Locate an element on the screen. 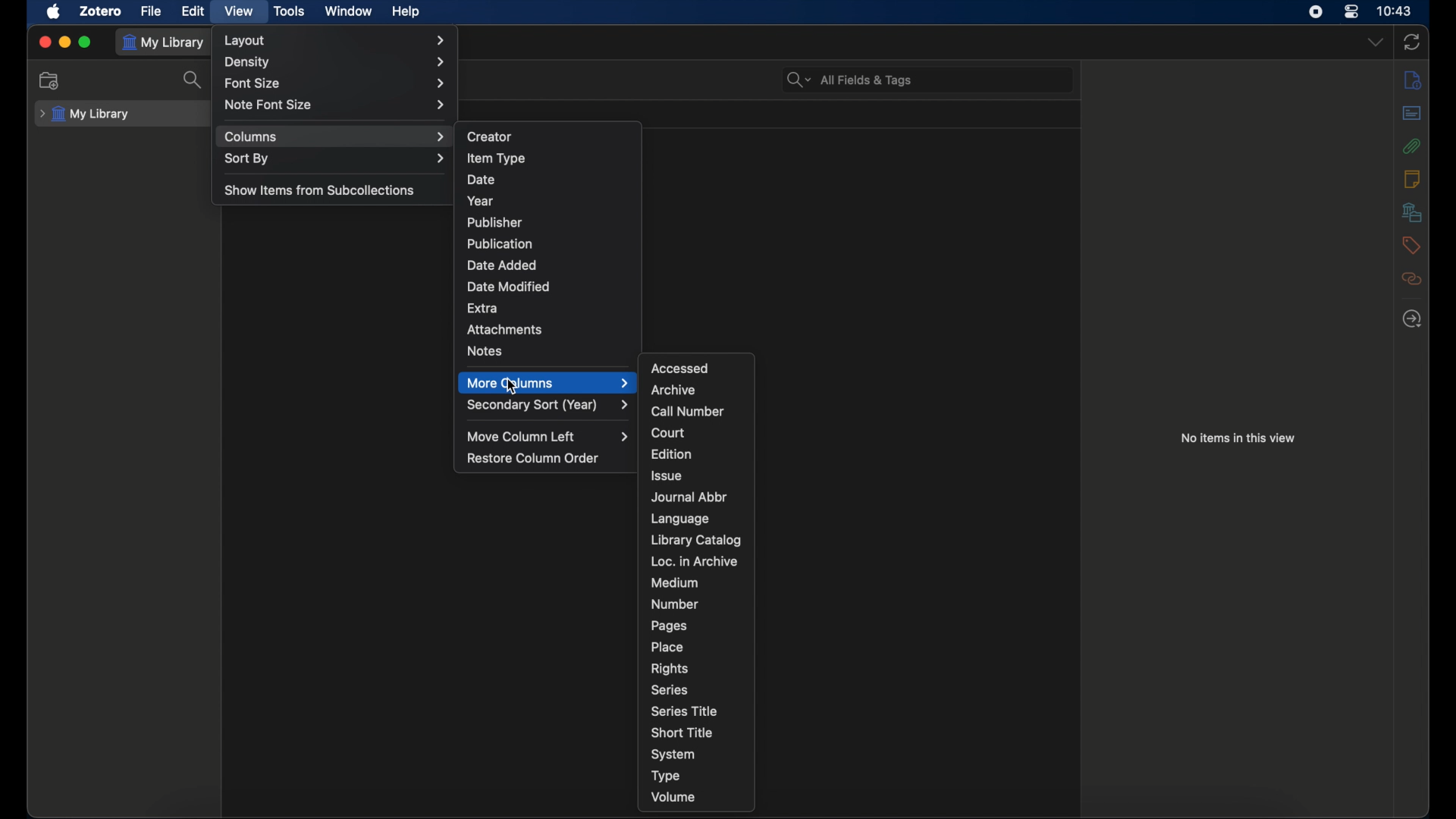 The height and width of the screenshot is (819, 1456). year is located at coordinates (479, 200).